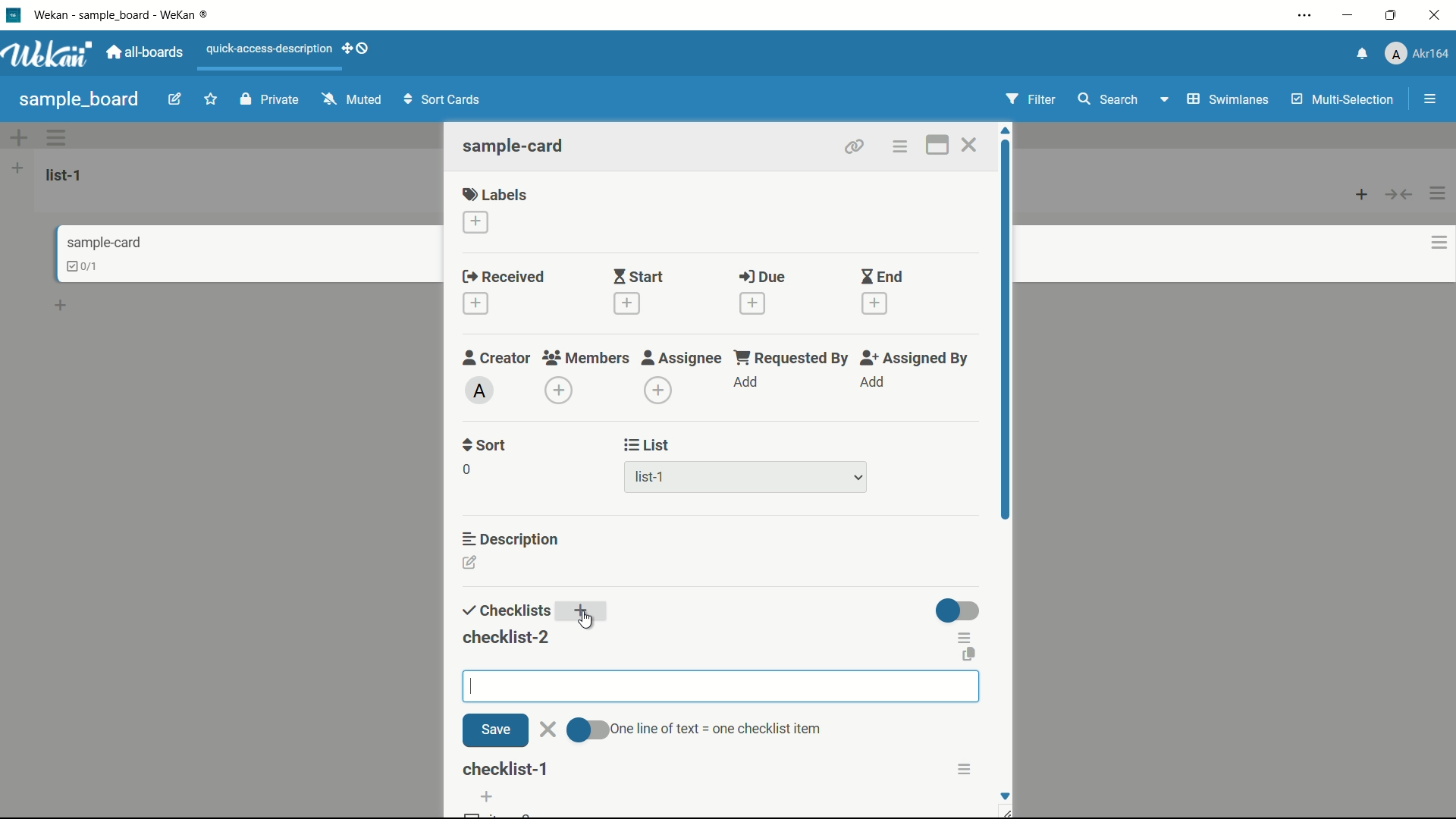  Describe the element at coordinates (506, 637) in the screenshot. I see `checklist-2 added` at that location.